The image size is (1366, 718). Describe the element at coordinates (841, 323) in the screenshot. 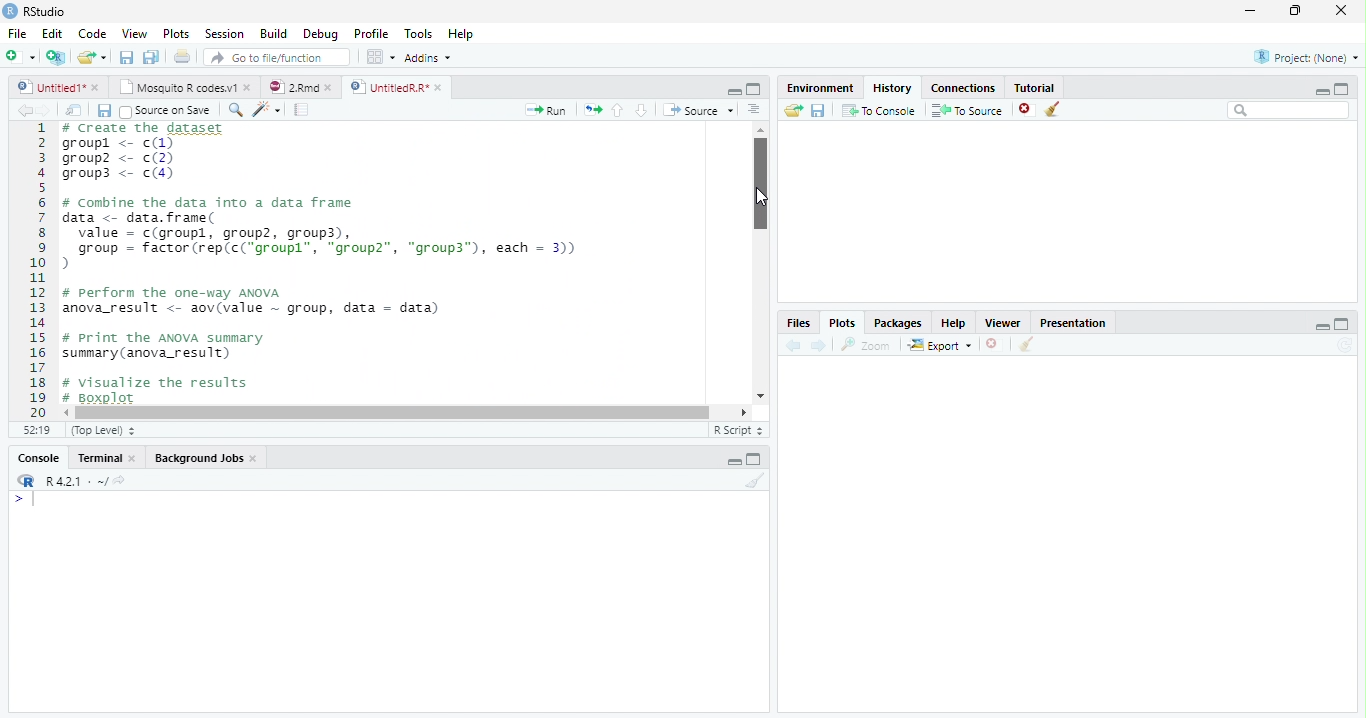

I see `Plots` at that location.